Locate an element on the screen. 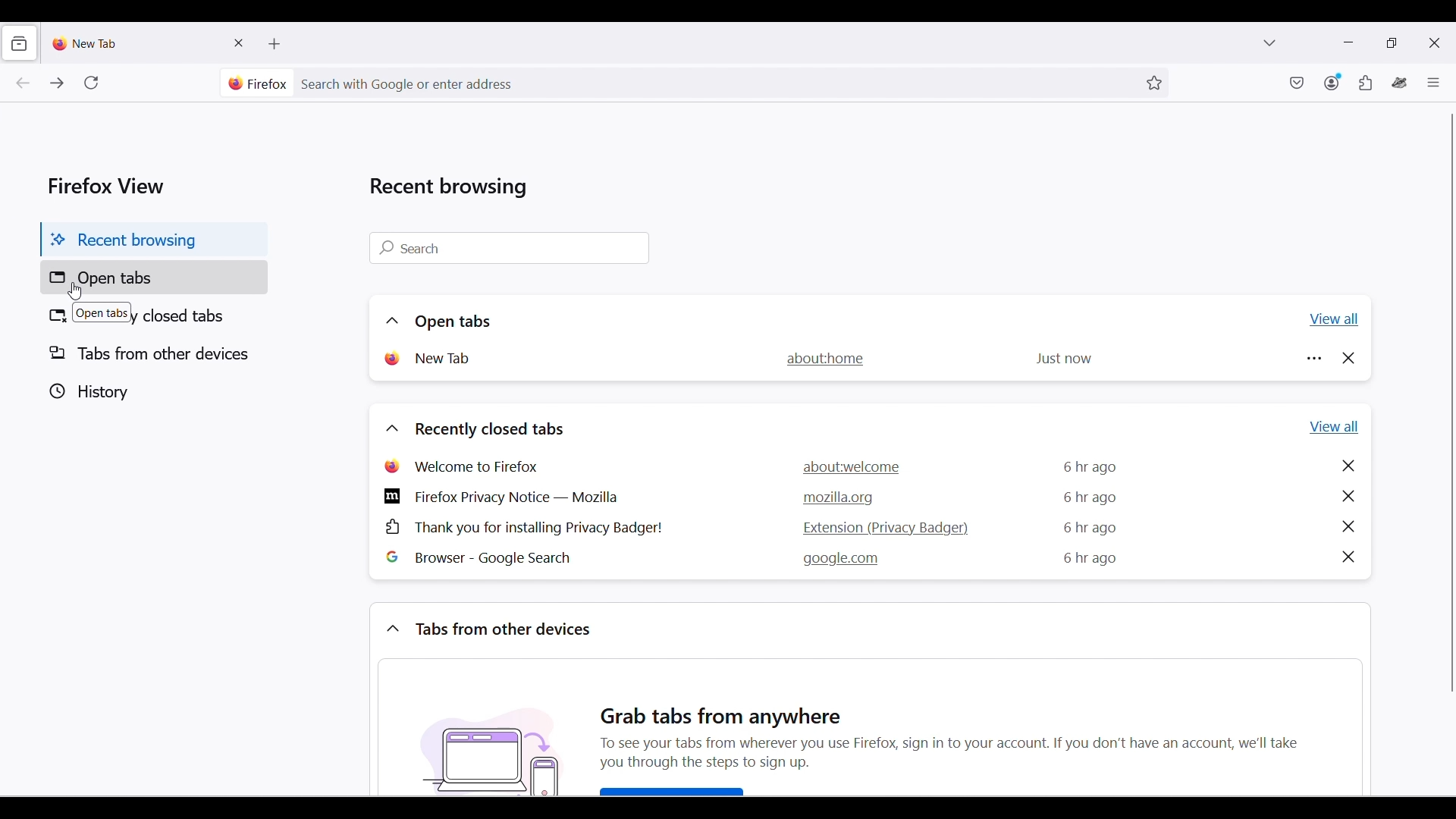 The image size is (1456, 819). List all tabs is located at coordinates (1269, 42).